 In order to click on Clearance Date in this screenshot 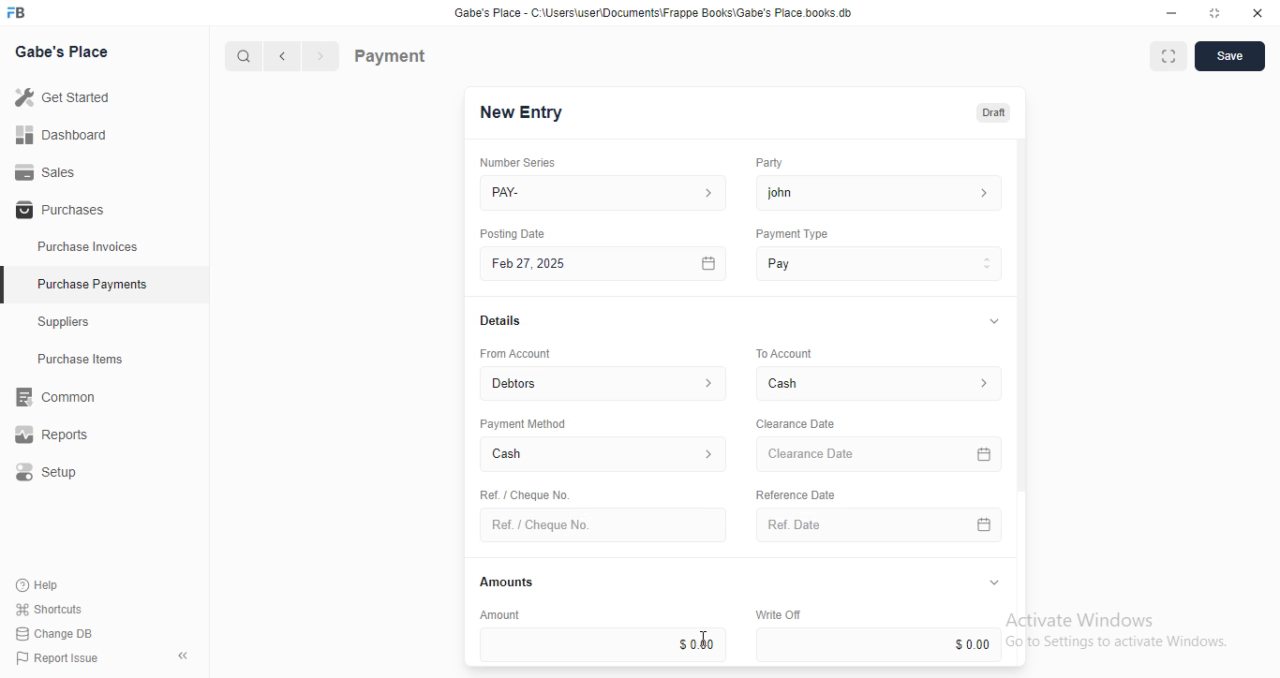, I will do `click(882, 455)`.